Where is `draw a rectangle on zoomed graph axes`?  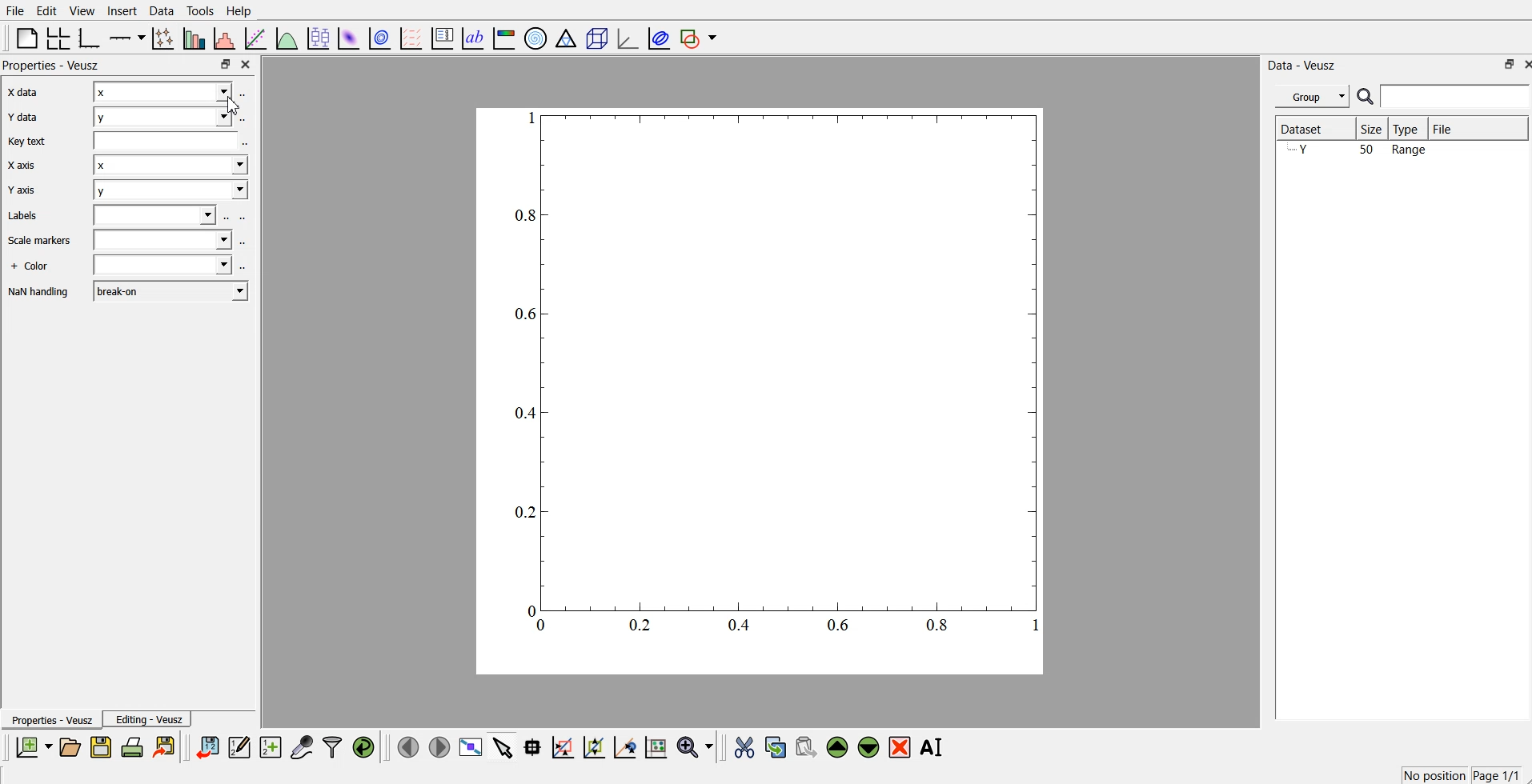
draw a rectangle on zoomed graph axes is located at coordinates (563, 749).